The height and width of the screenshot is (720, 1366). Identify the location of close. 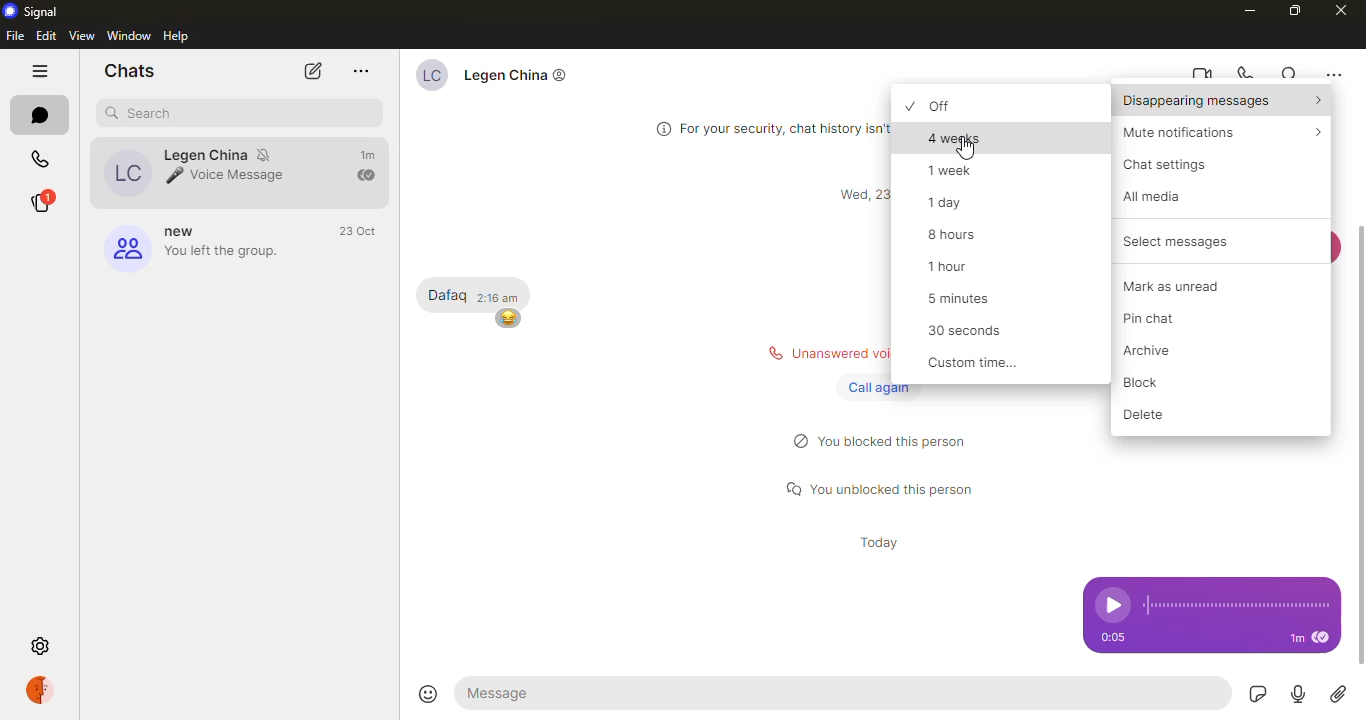
(1342, 11).